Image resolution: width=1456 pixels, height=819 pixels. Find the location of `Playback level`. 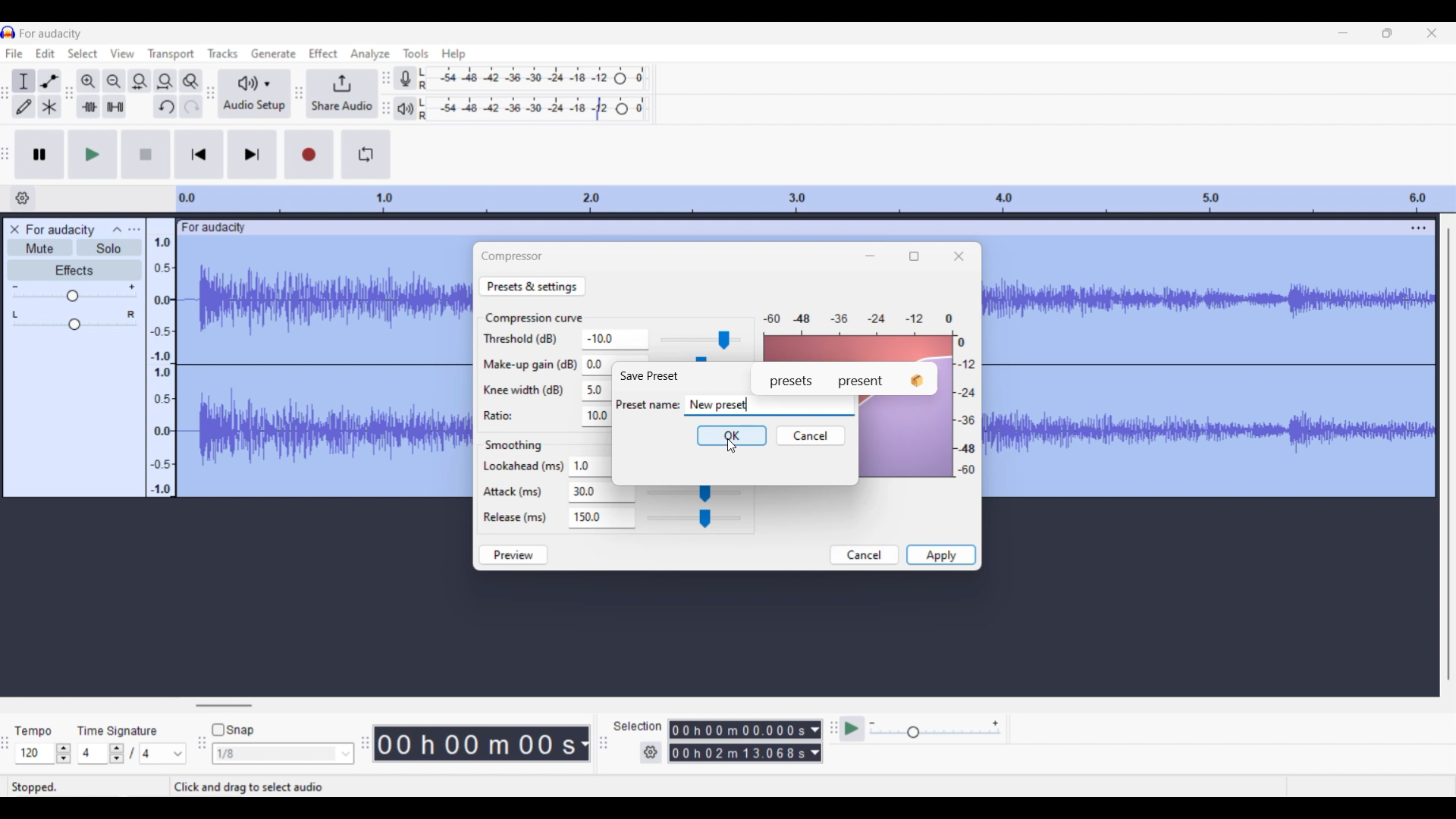

Playback level is located at coordinates (533, 109).